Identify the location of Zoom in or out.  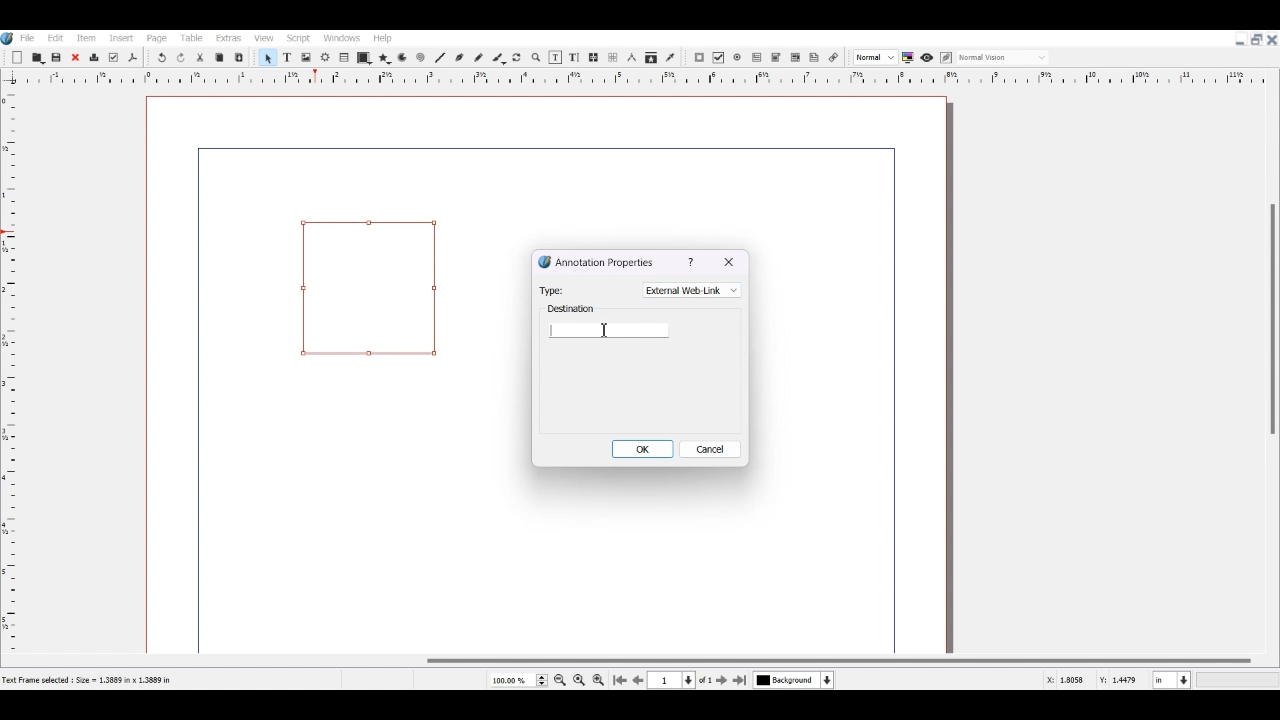
(535, 57).